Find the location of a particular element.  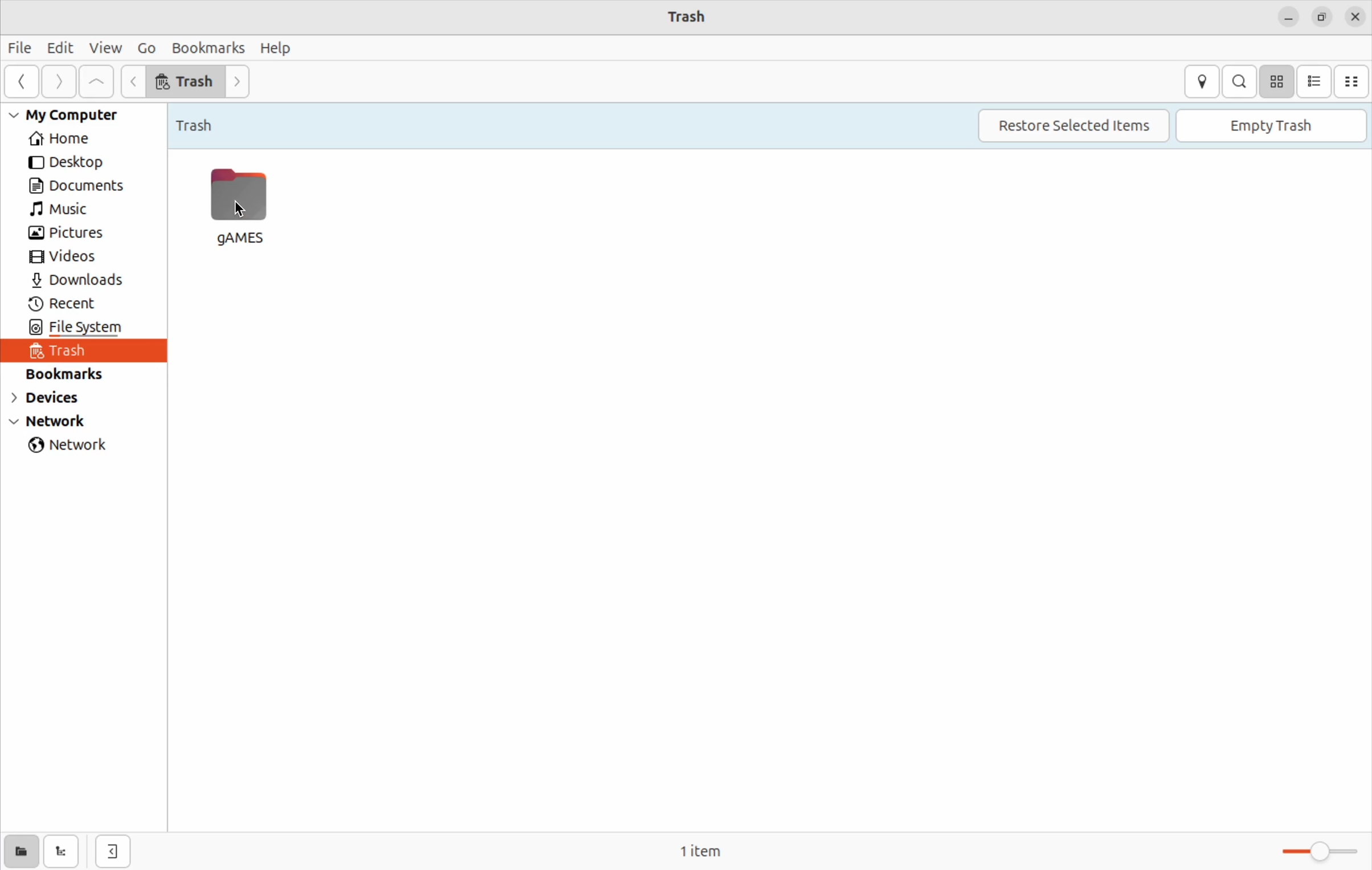

icon view is located at coordinates (1276, 81).